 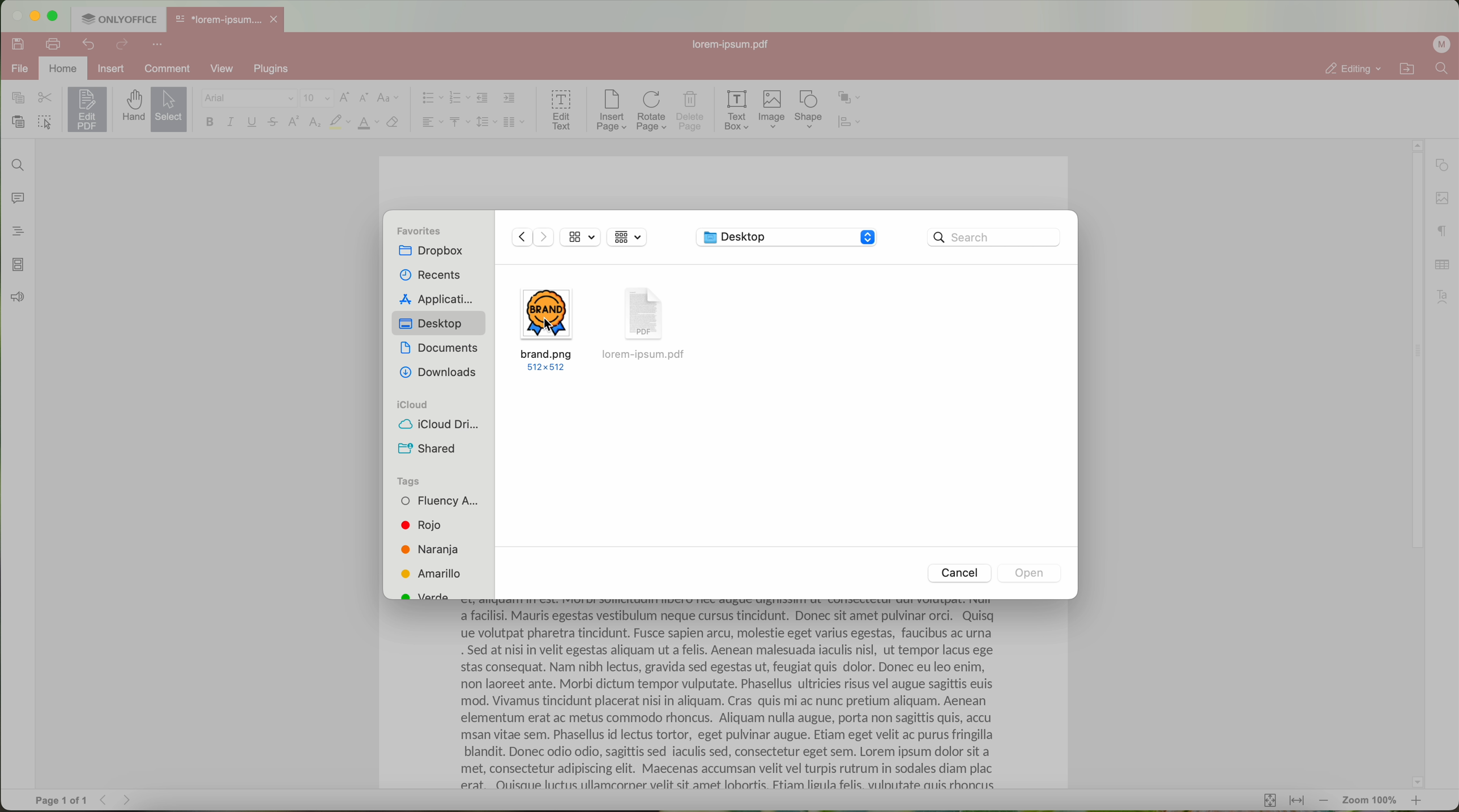 I want to click on increase indent, so click(x=510, y=97).